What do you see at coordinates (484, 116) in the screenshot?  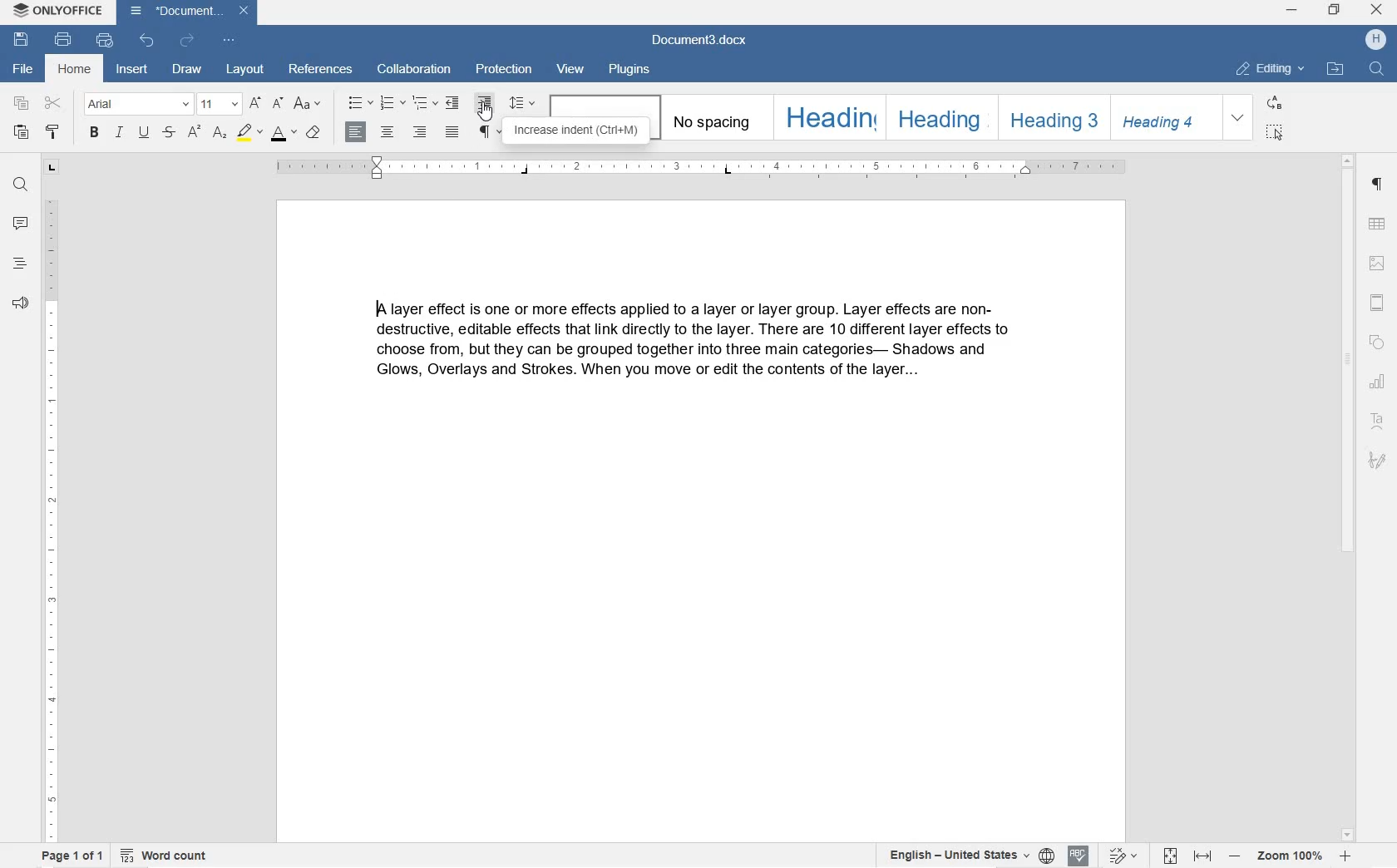 I see `CURSOR` at bounding box center [484, 116].